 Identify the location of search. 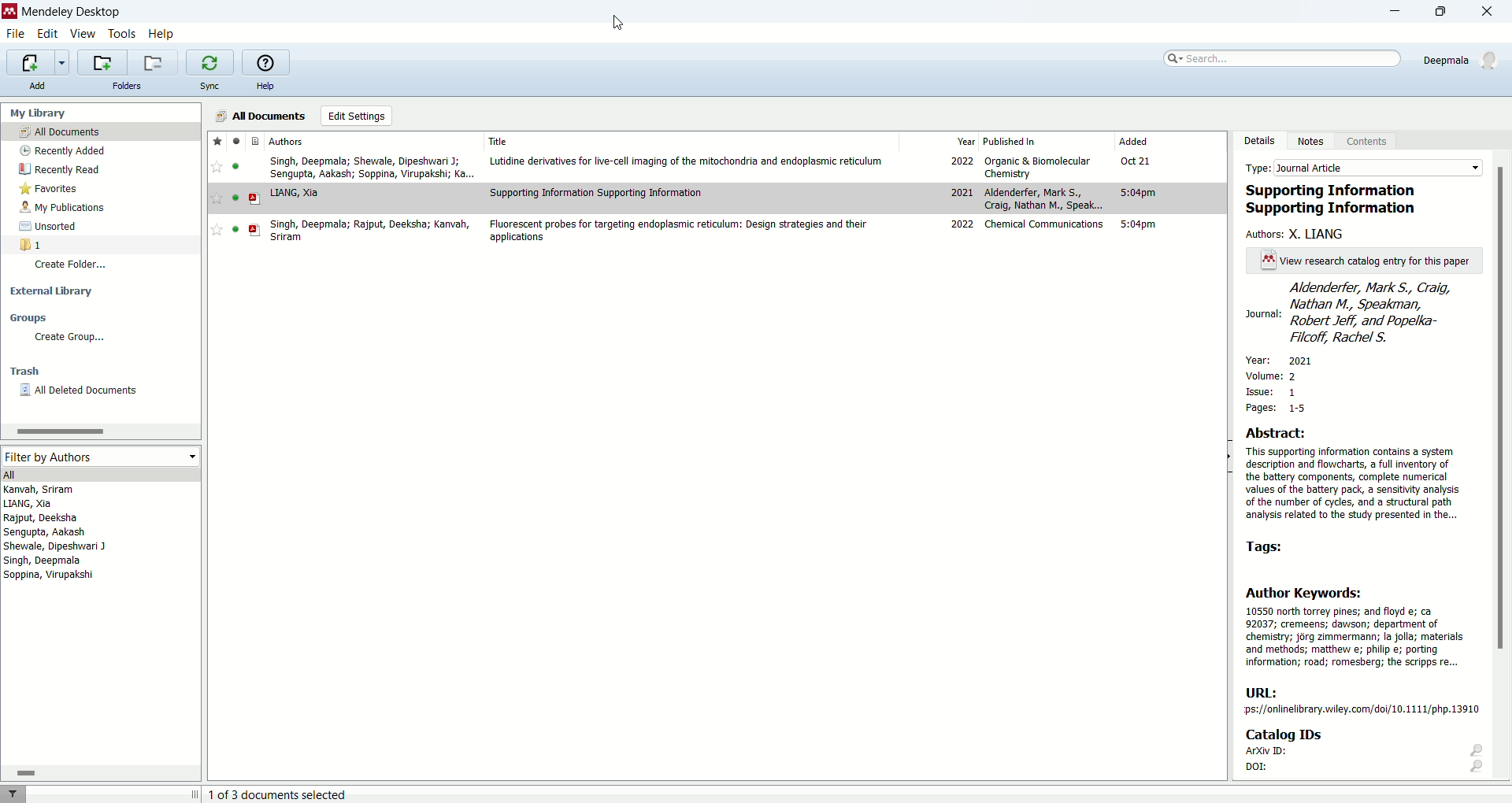
(1284, 58).